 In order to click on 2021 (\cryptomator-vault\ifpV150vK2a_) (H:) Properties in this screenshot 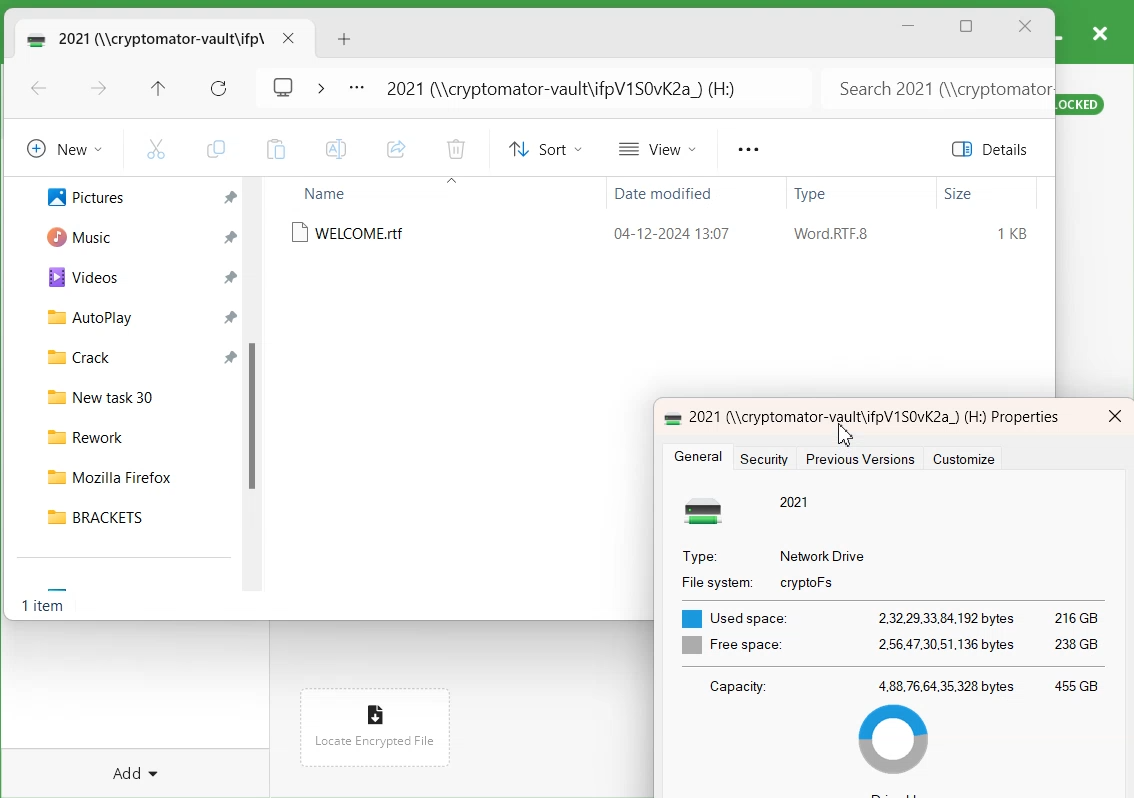, I will do `click(874, 417)`.